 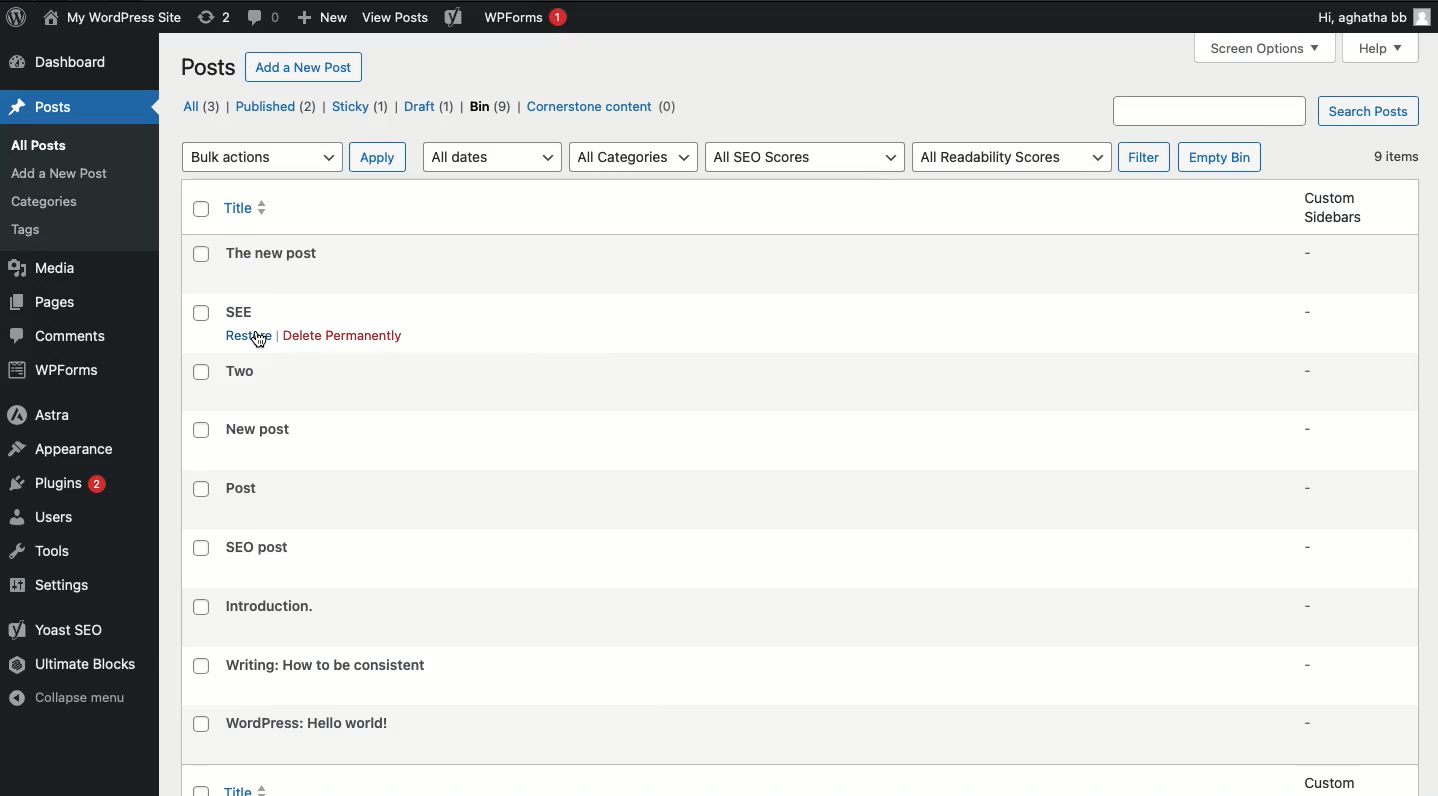 What do you see at coordinates (210, 68) in the screenshot?
I see `Posts` at bounding box center [210, 68].